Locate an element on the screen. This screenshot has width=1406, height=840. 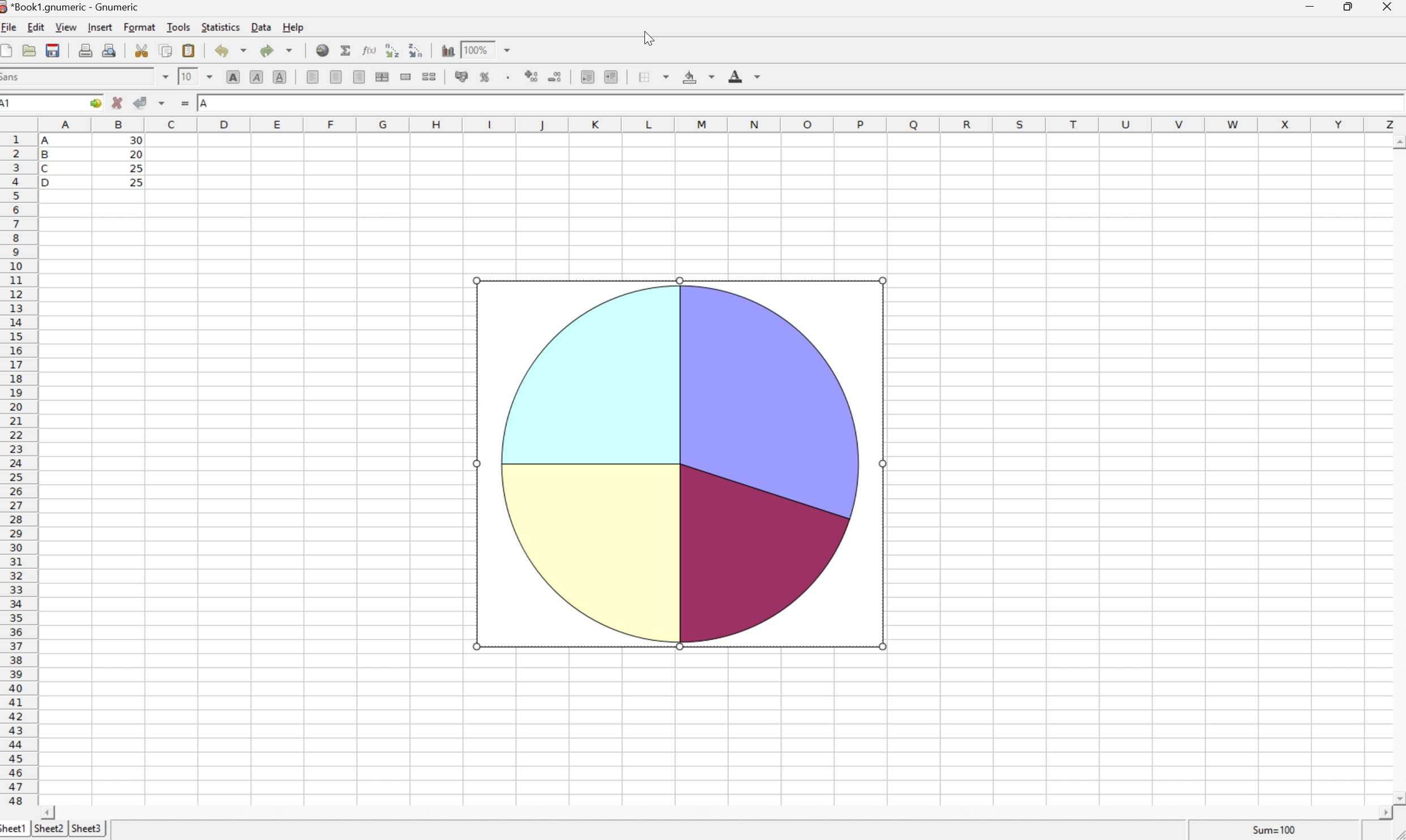
Create a new workbook is located at coordinates (9, 50).